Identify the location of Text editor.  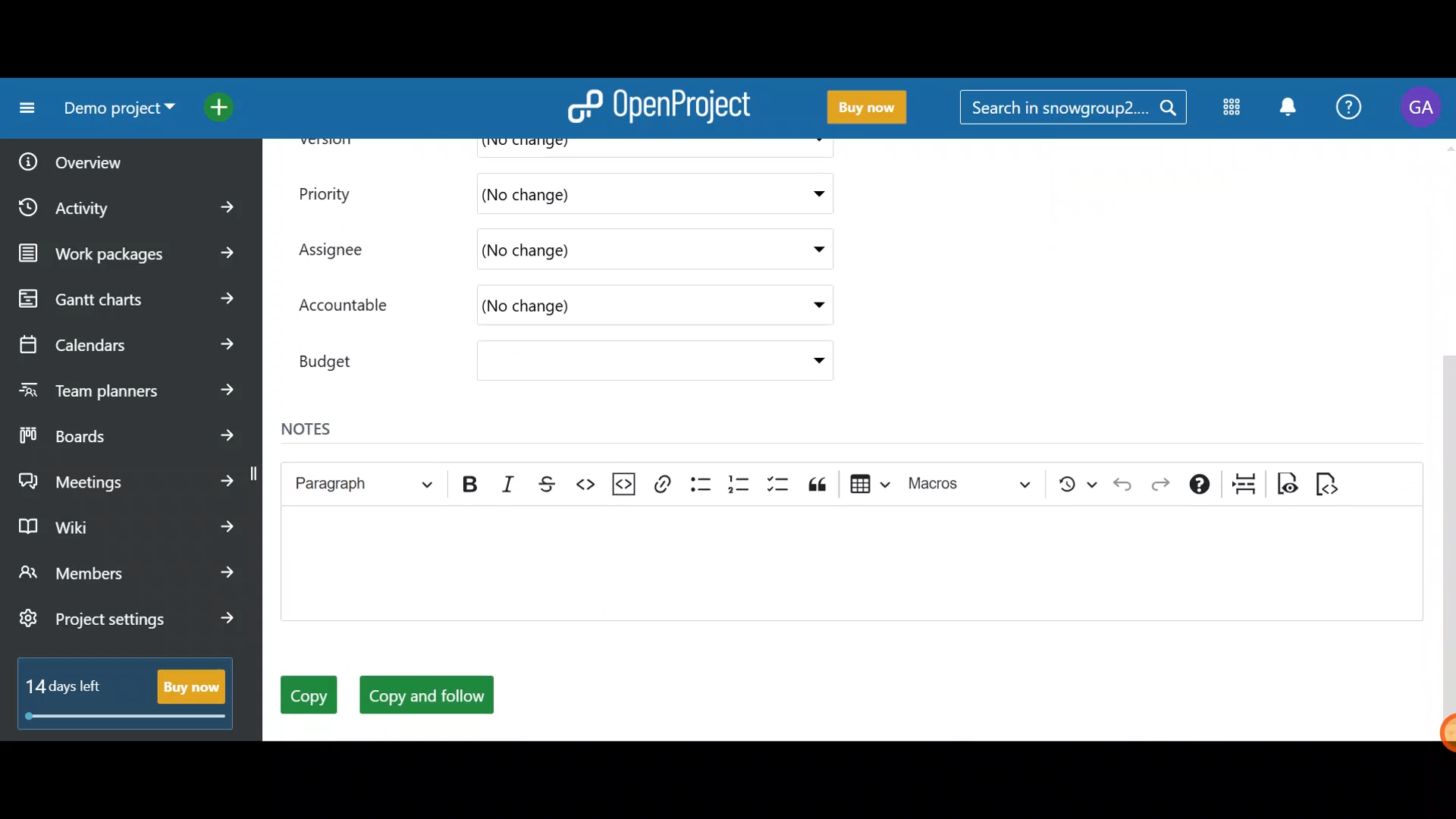
(837, 570).